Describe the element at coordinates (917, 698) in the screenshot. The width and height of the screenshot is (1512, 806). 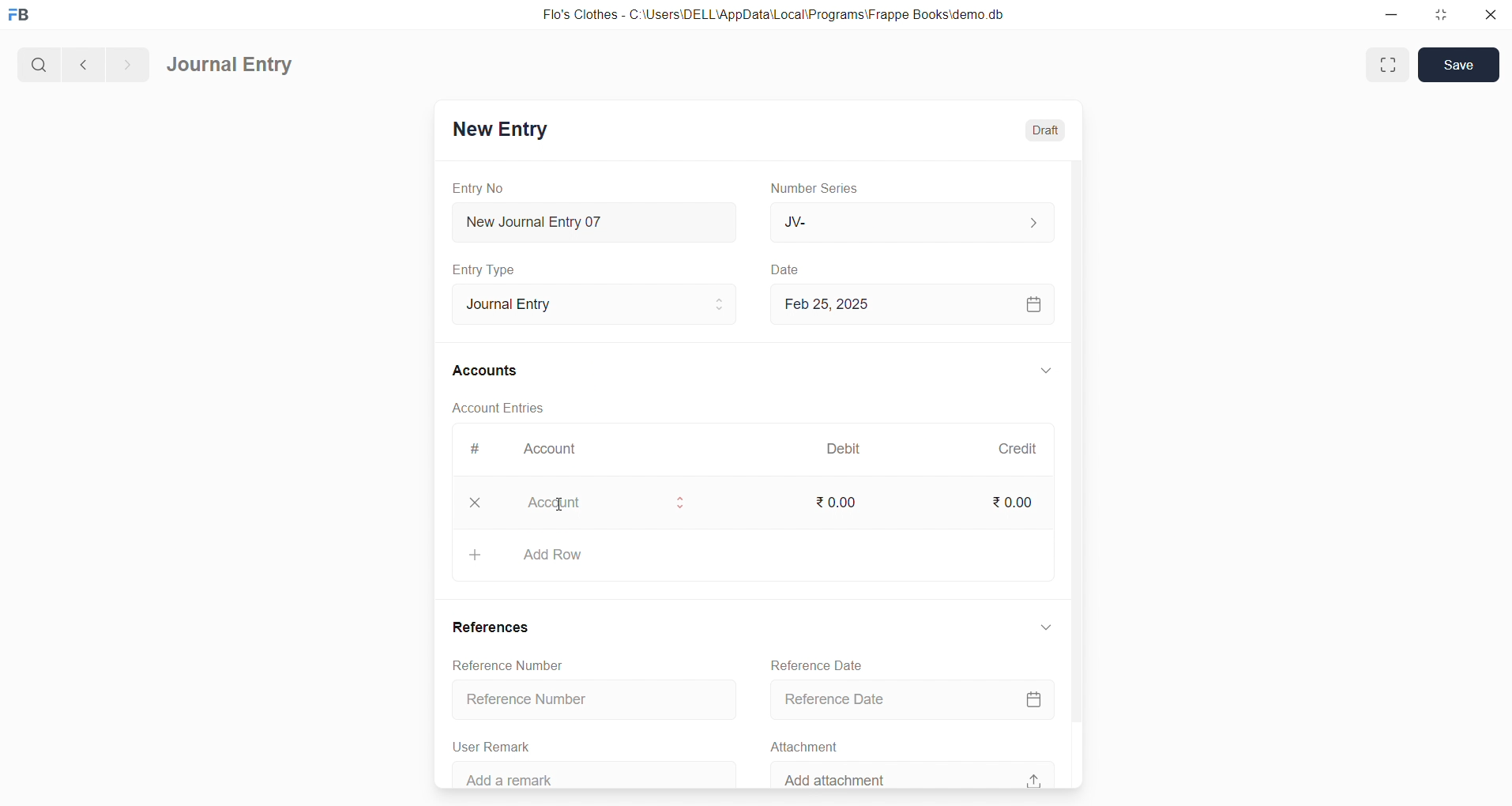
I see `Reference Date` at that location.